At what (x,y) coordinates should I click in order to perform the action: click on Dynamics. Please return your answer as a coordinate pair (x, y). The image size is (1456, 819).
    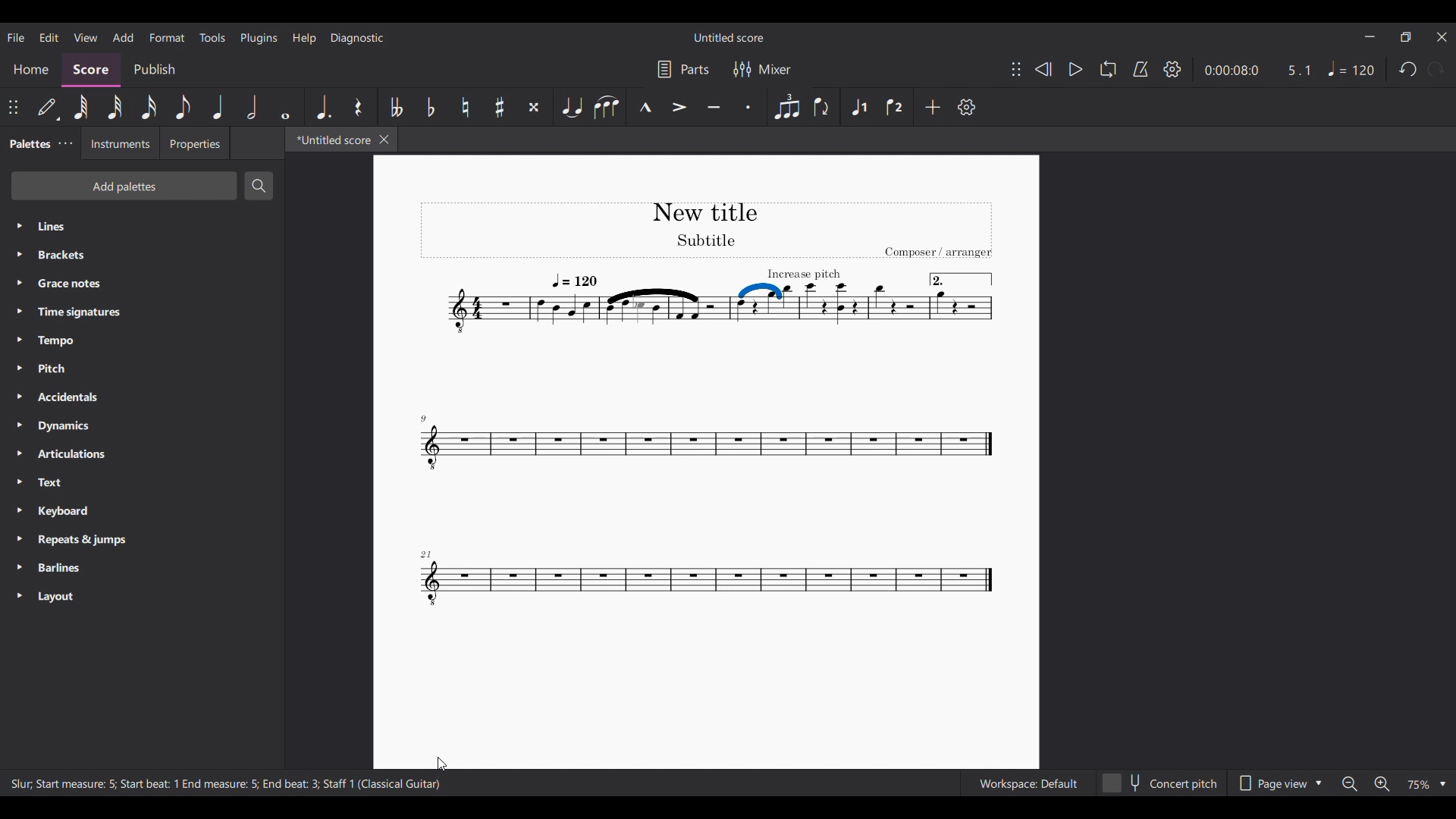
    Looking at the image, I should click on (141, 425).